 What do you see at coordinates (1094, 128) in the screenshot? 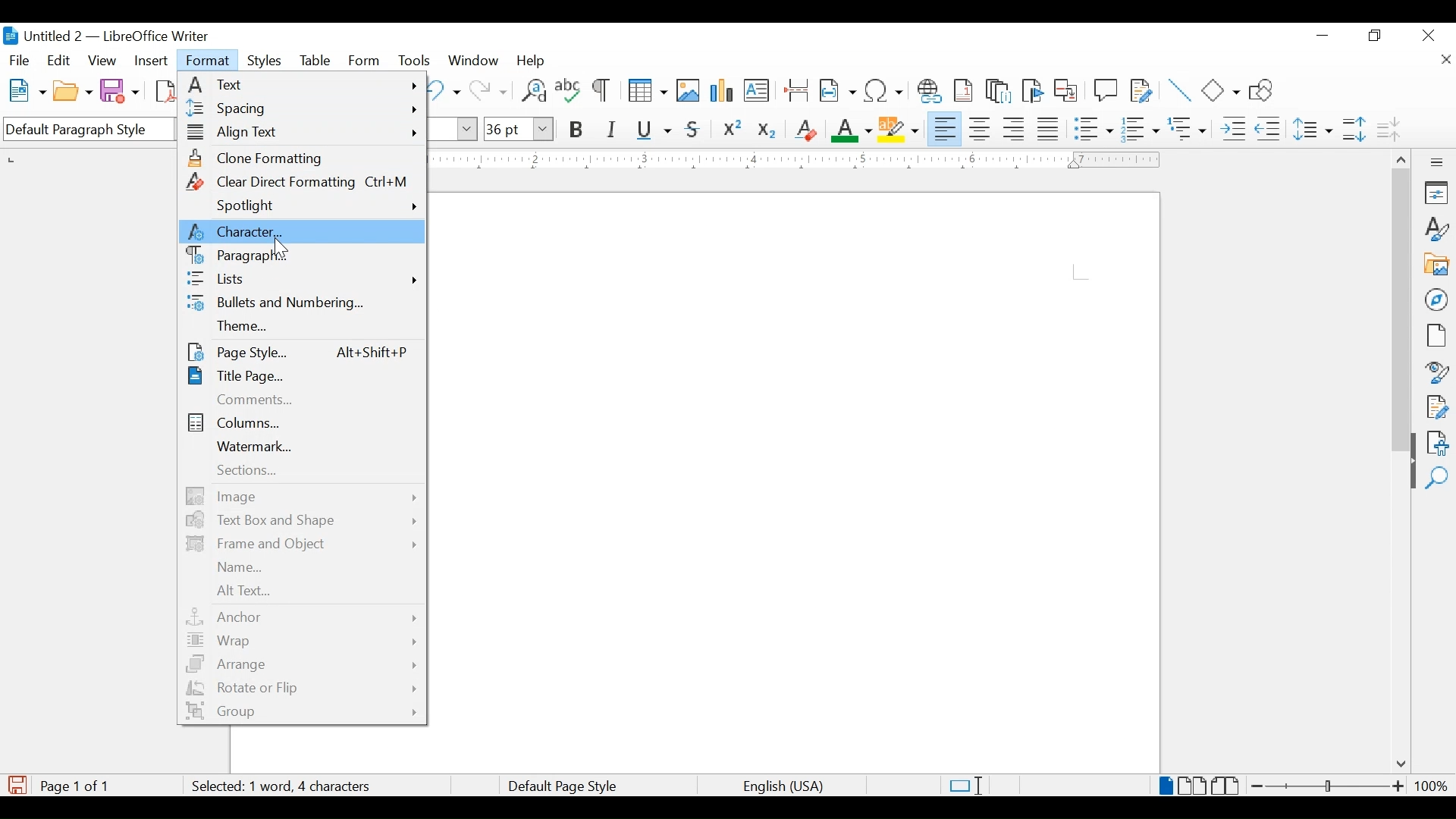
I see `toggle unordered list` at bounding box center [1094, 128].